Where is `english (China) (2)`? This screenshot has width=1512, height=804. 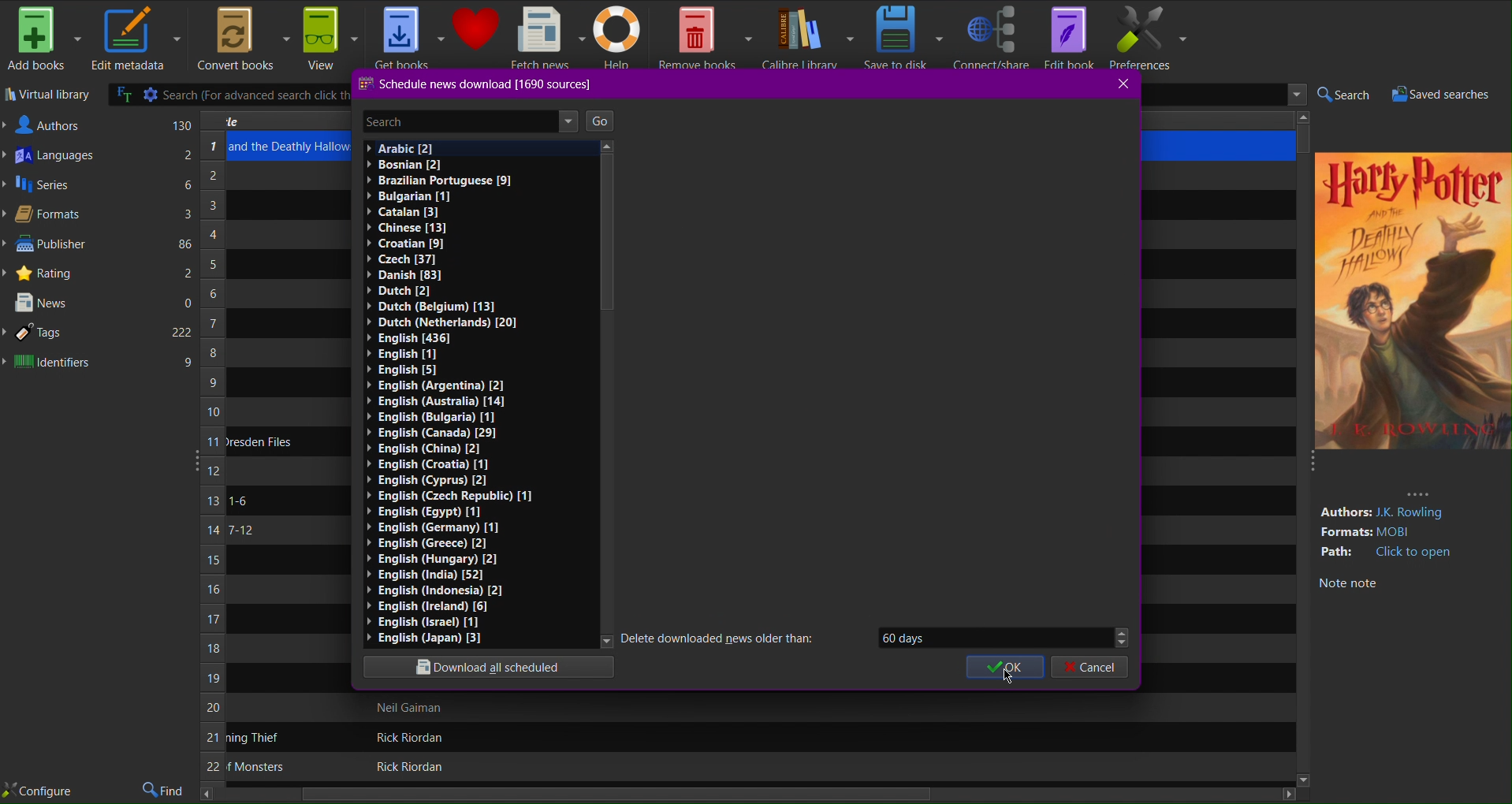
english (China) (2) is located at coordinates (428, 449).